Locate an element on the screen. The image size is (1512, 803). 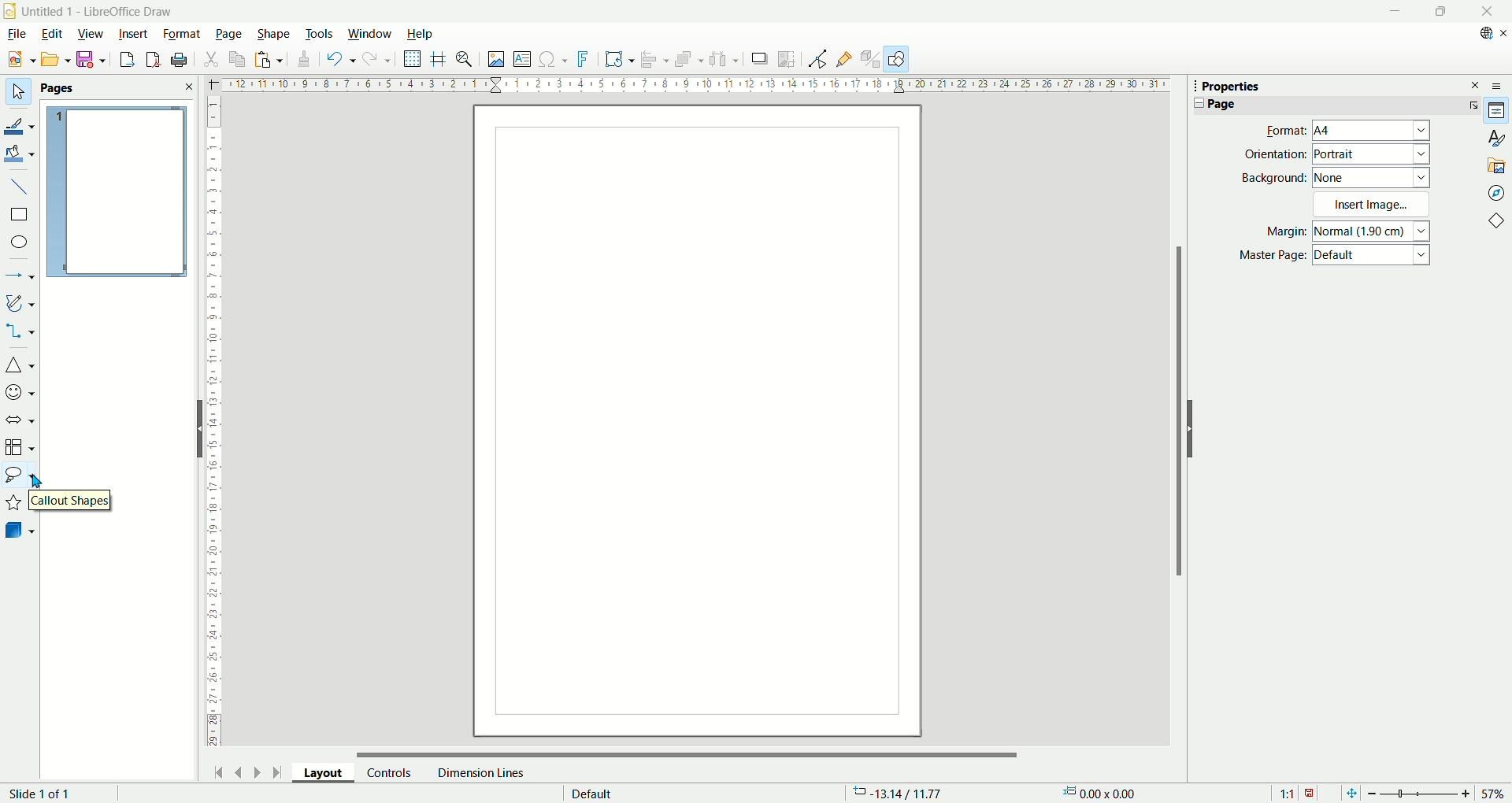
Close document is located at coordinates (1503, 33).